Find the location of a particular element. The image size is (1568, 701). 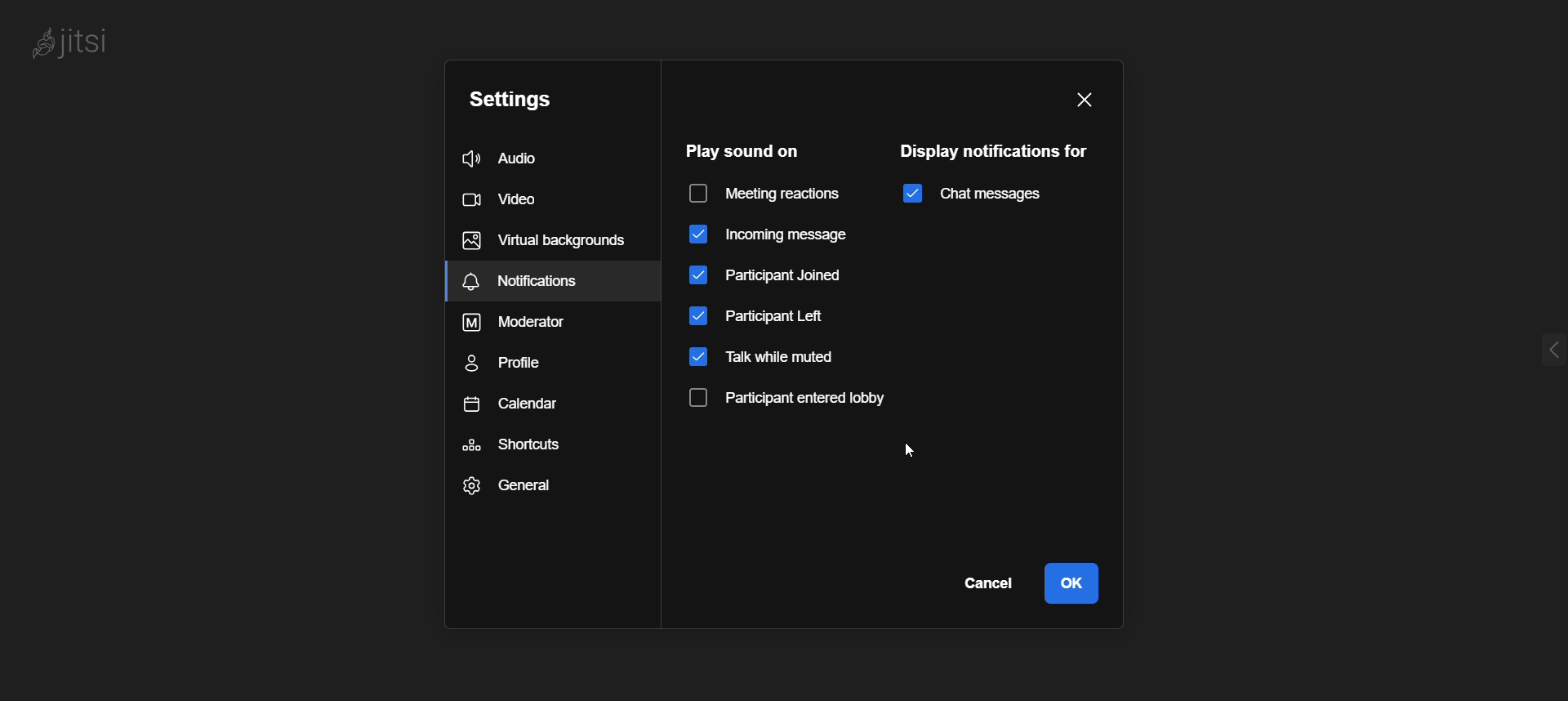

Close Setting is located at coordinates (1084, 100).